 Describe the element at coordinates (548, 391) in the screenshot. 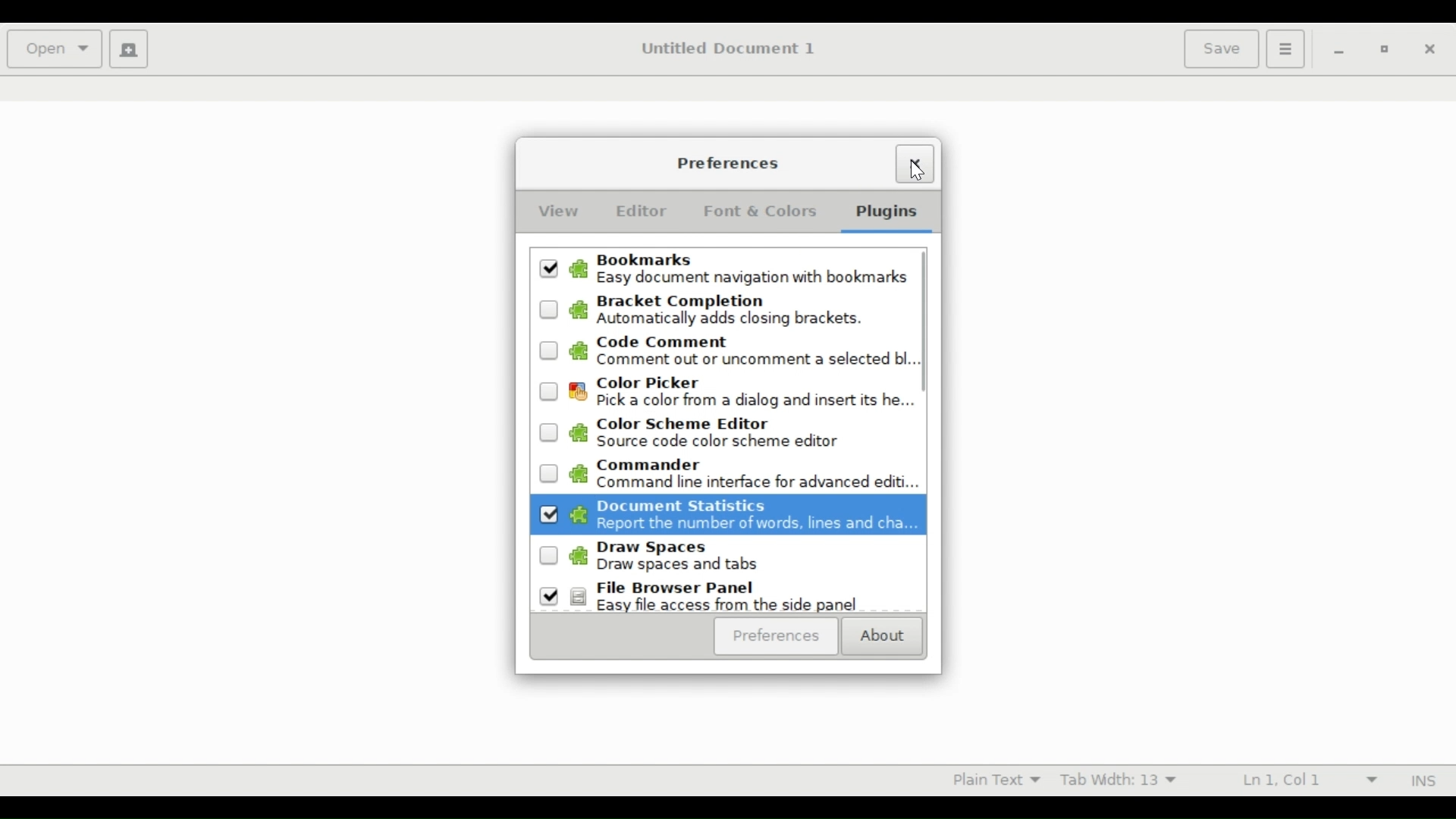

I see `Unselected` at that location.